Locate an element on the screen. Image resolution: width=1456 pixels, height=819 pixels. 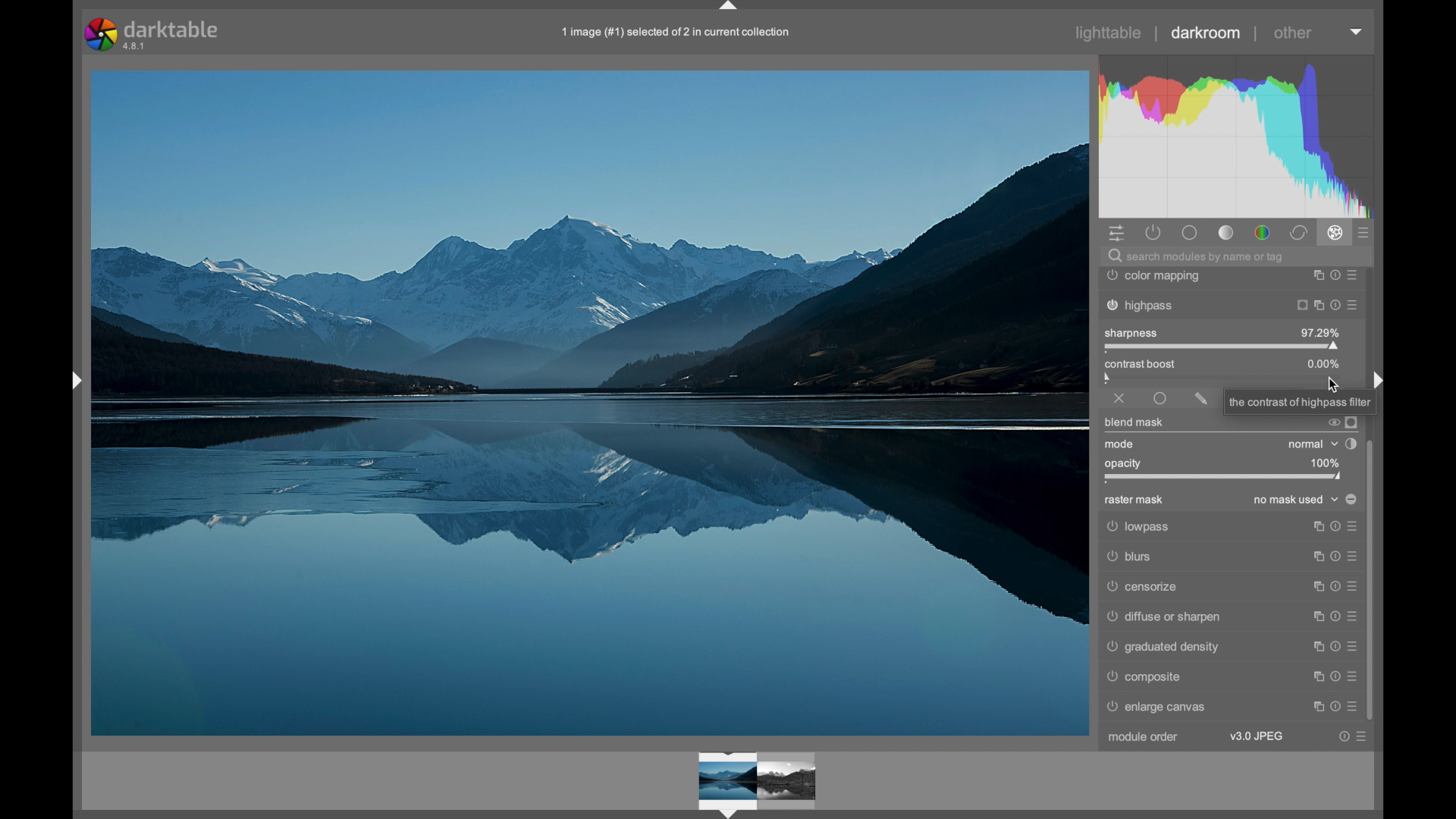
more options is located at coordinates (1335, 707).